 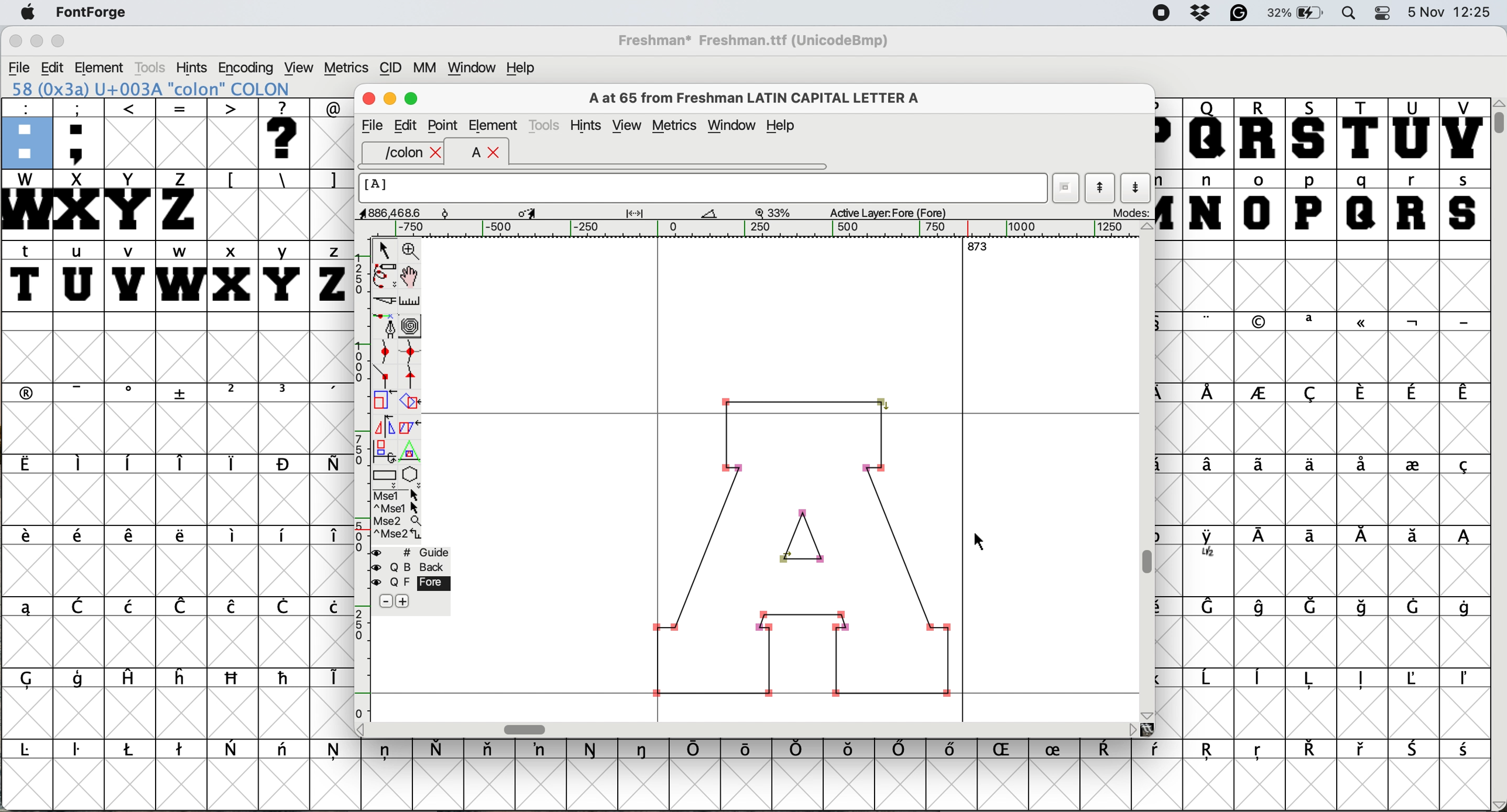 What do you see at coordinates (1413, 463) in the screenshot?
I see `symbol` at bounding box center [1413, 463].